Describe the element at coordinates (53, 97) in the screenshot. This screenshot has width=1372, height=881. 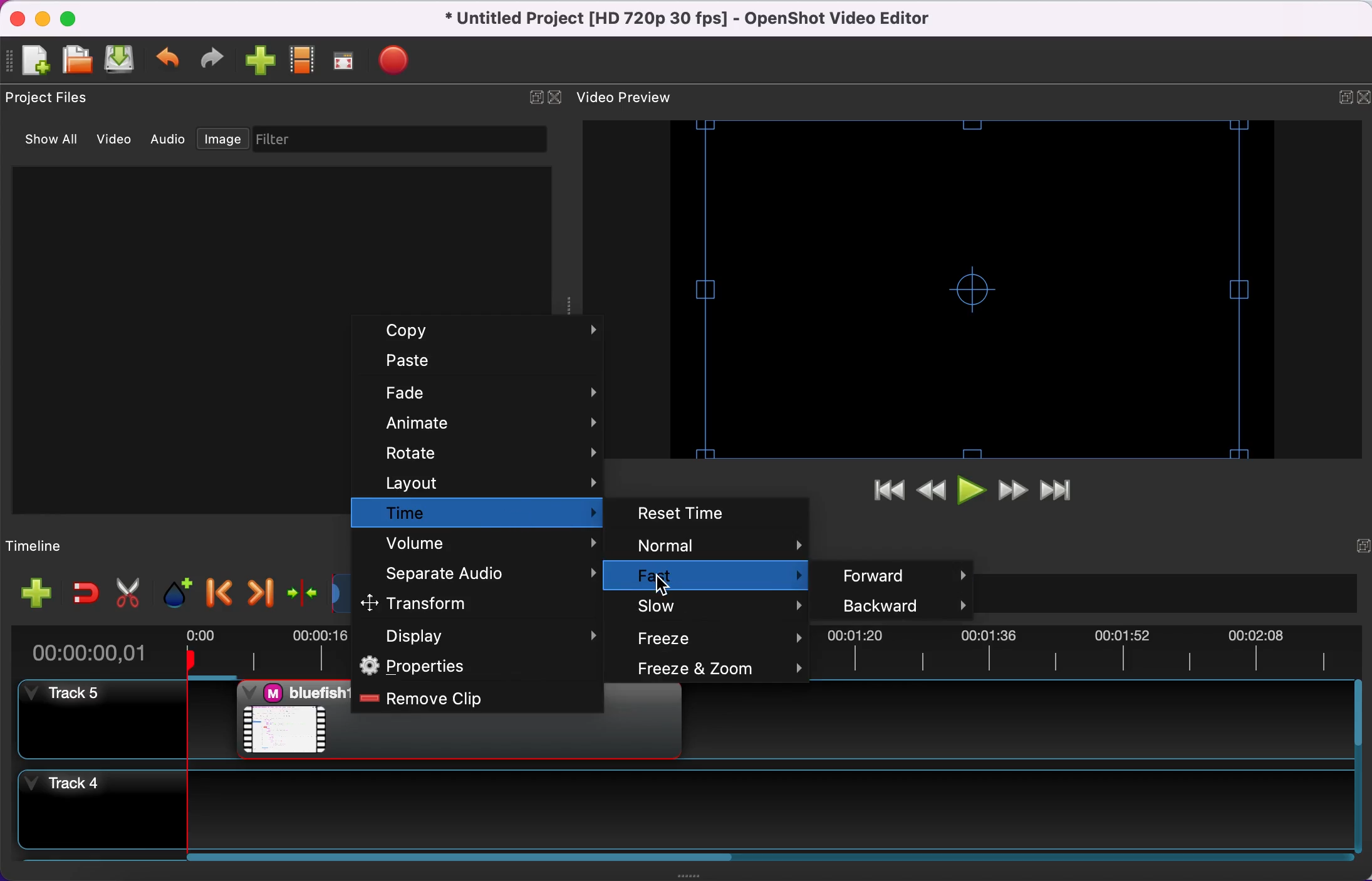
I see `project files` at that location.